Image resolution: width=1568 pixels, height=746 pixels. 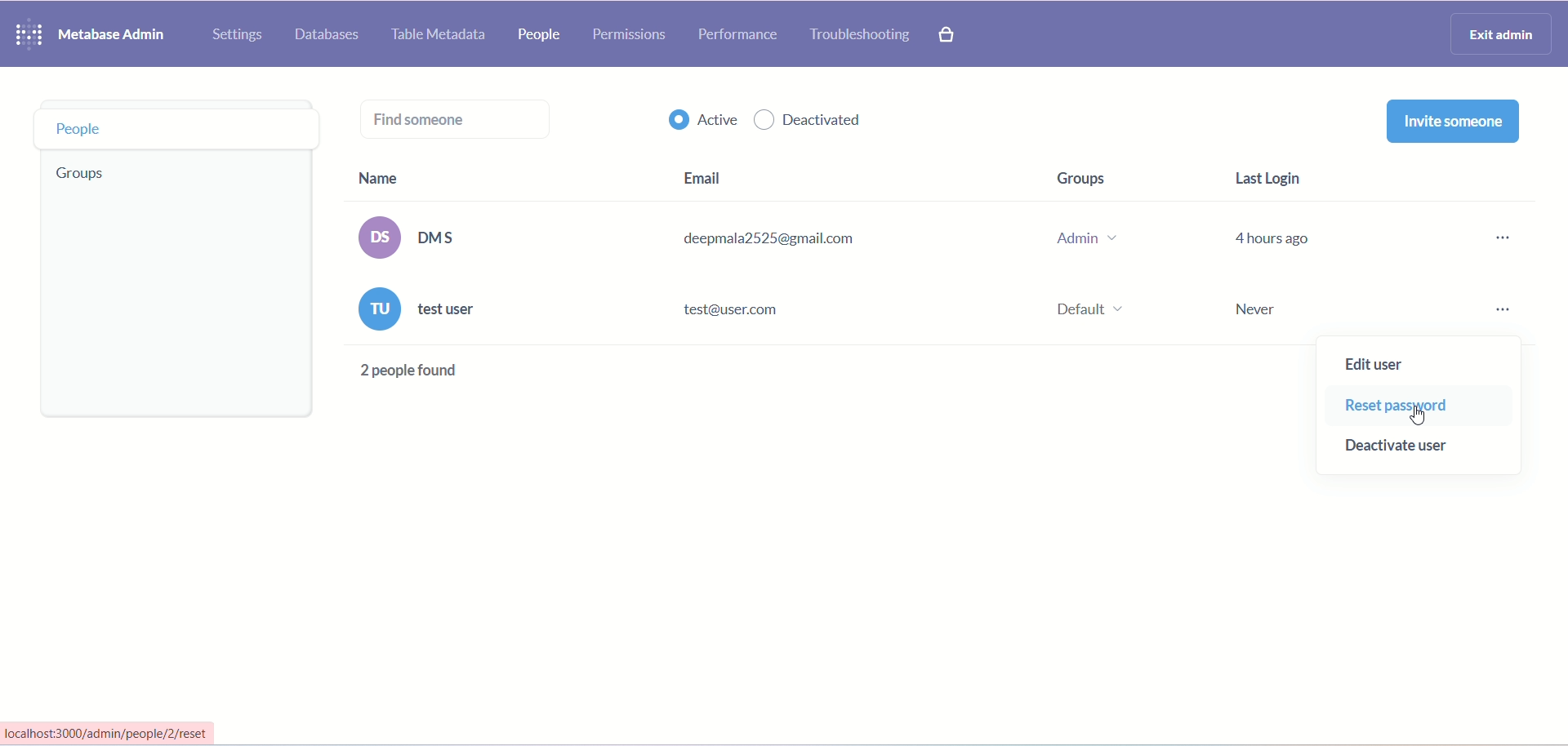 What do you see at coordinates (1505, 278) in the screenshot?
I see `more` at bounding box center [1505, 278].